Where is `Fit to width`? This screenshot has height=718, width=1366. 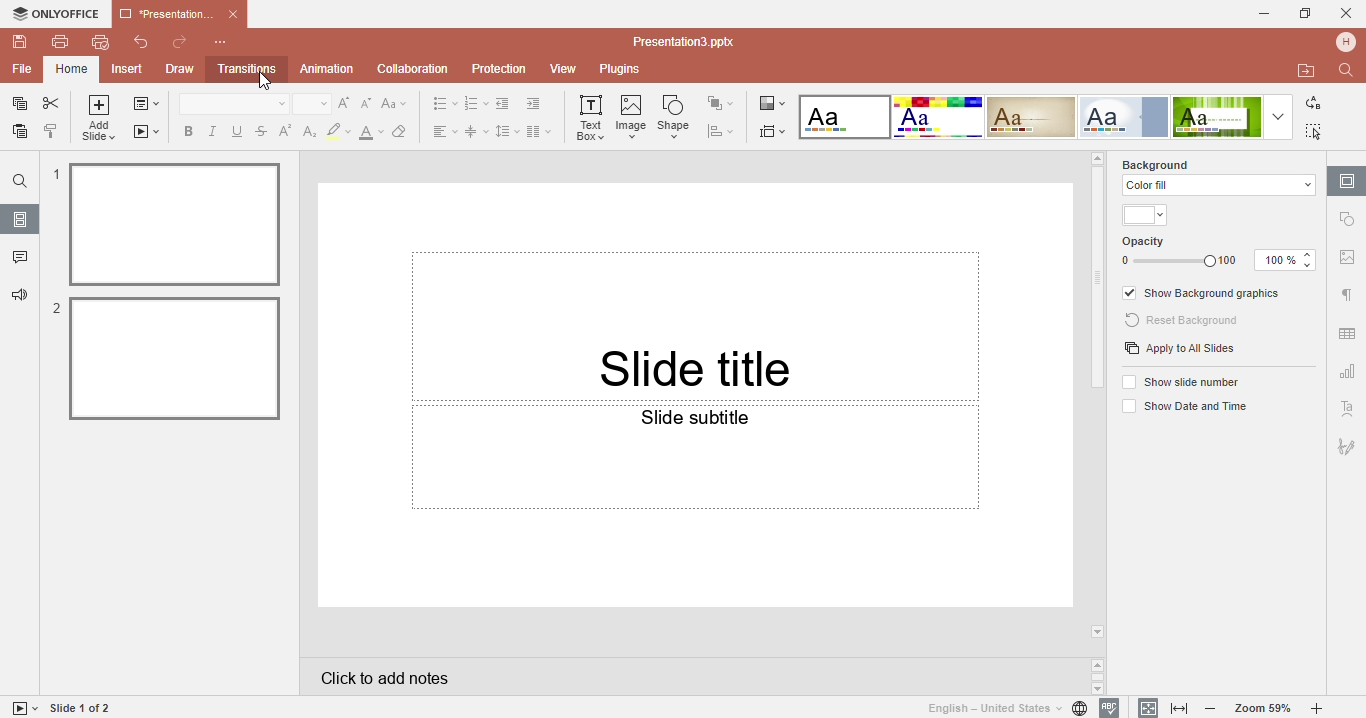 Fit to width is located at coordinates (1181, 709).